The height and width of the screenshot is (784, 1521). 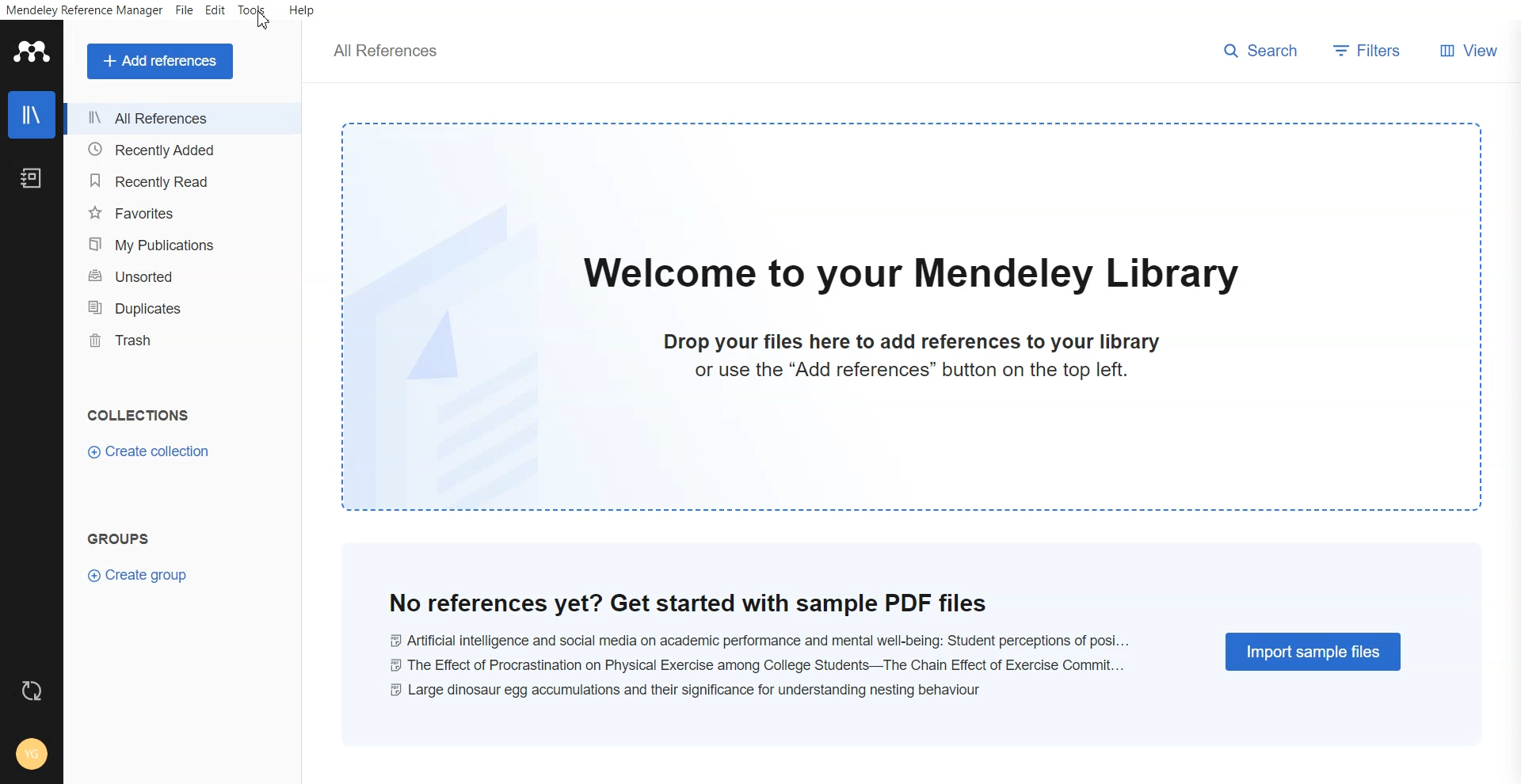 I want to click on large dinosaur egg accumulations and their significance for understanding nestling behaviour, so click(x=687, y=691).